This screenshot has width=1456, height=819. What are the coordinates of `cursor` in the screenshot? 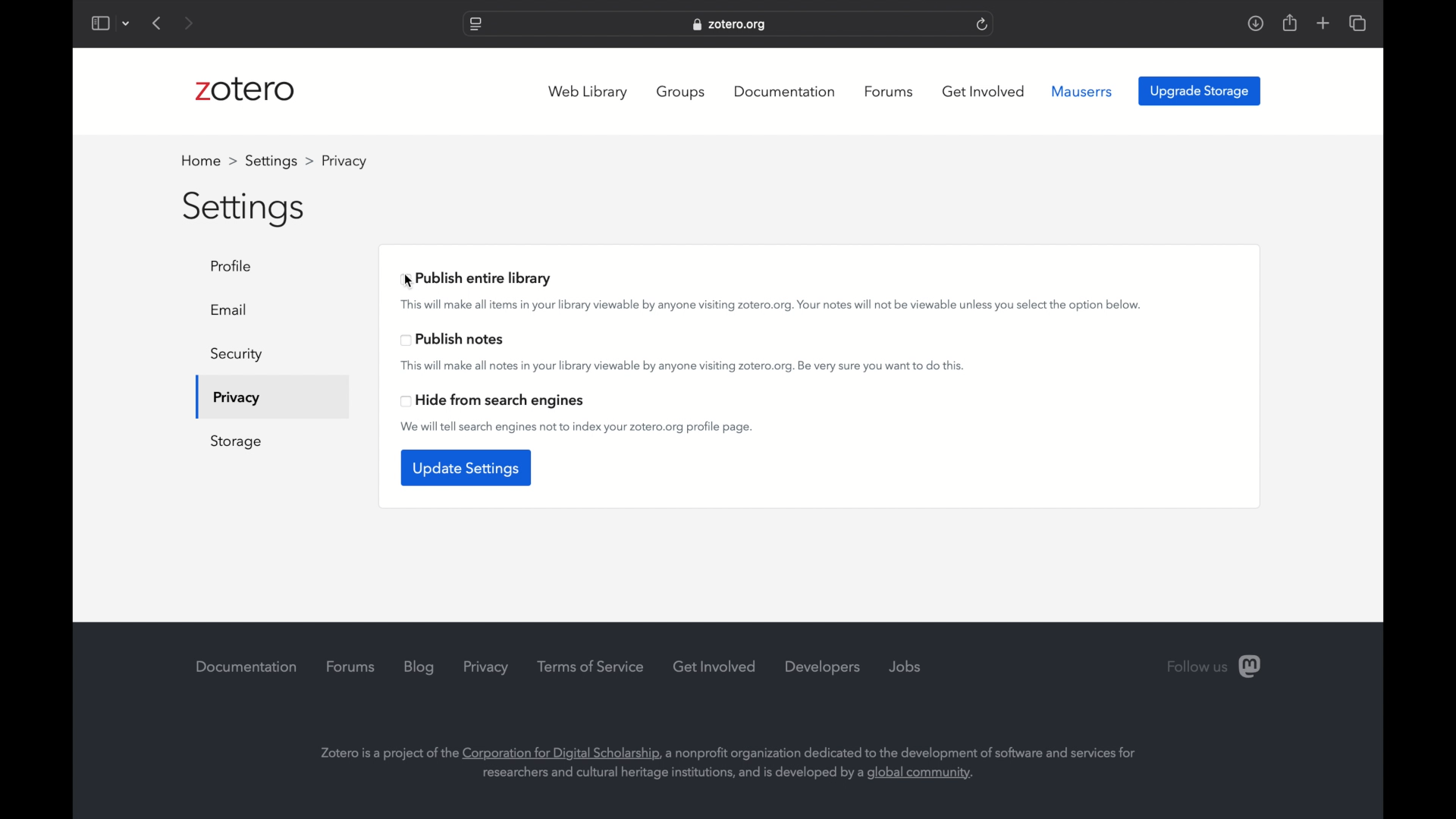 It's located at (408, 281).